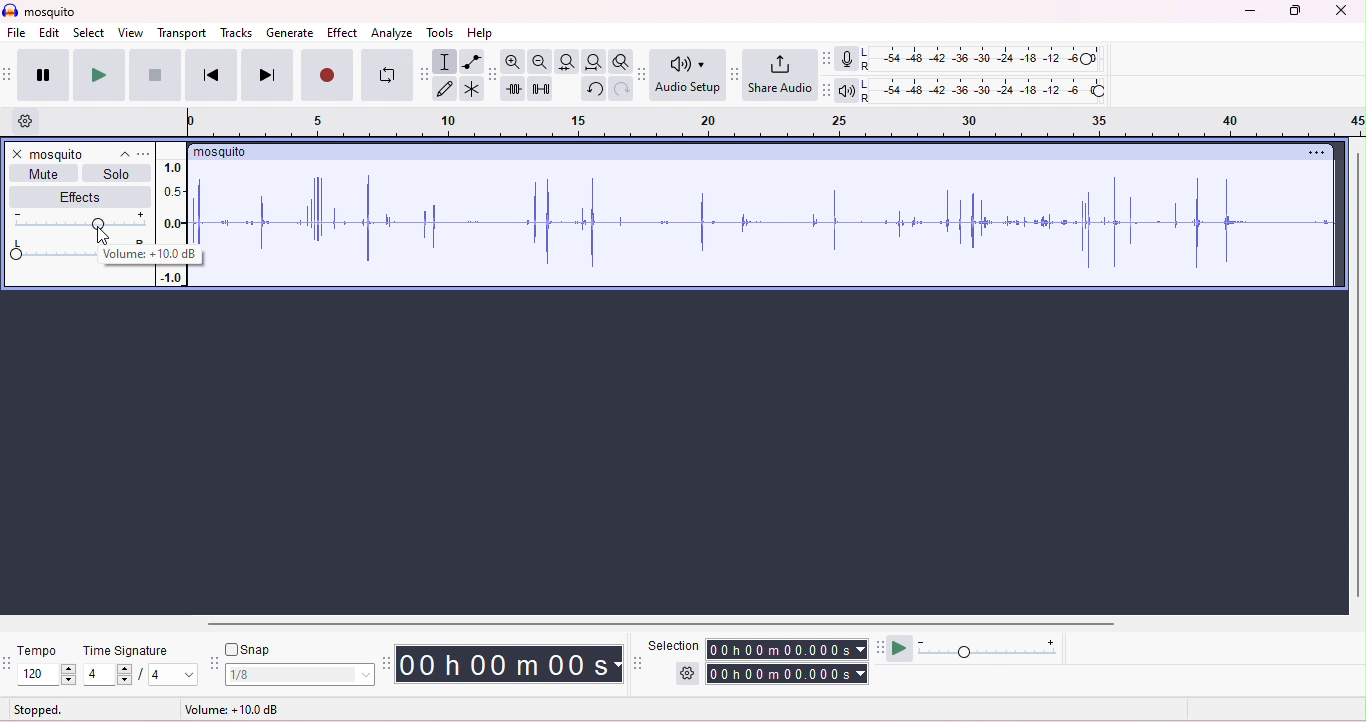 The image size is (1366, 722). What do you see at coordinates (471, 62) in the screenshot?
I see `envelop` at bounding box center [471, 62].